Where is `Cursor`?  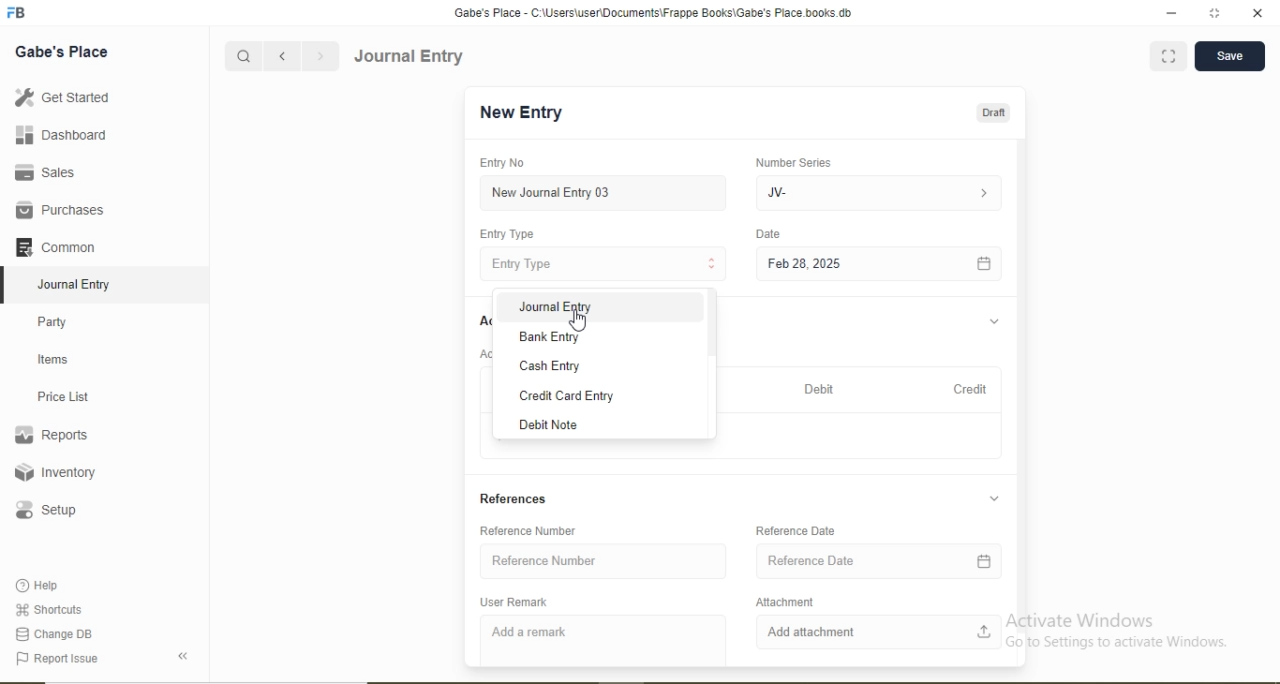 Cursor is located at coordinates (579, 322).